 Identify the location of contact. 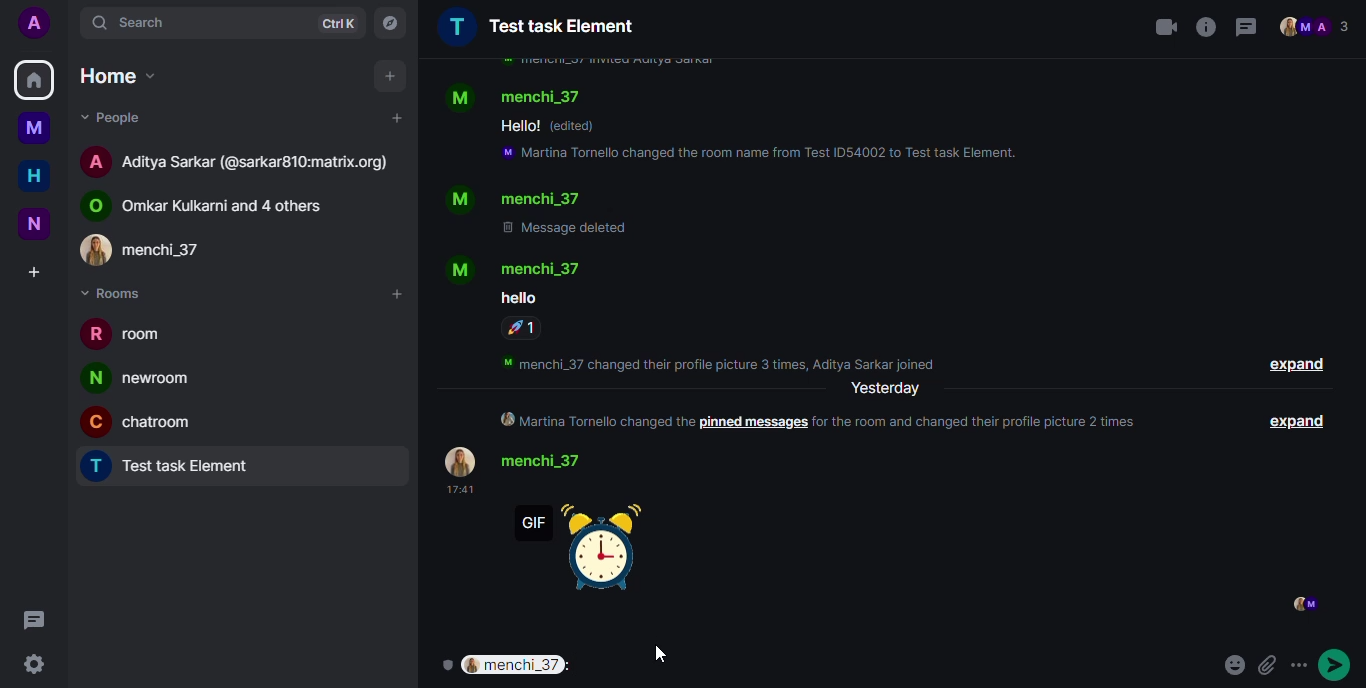
(240, 160).